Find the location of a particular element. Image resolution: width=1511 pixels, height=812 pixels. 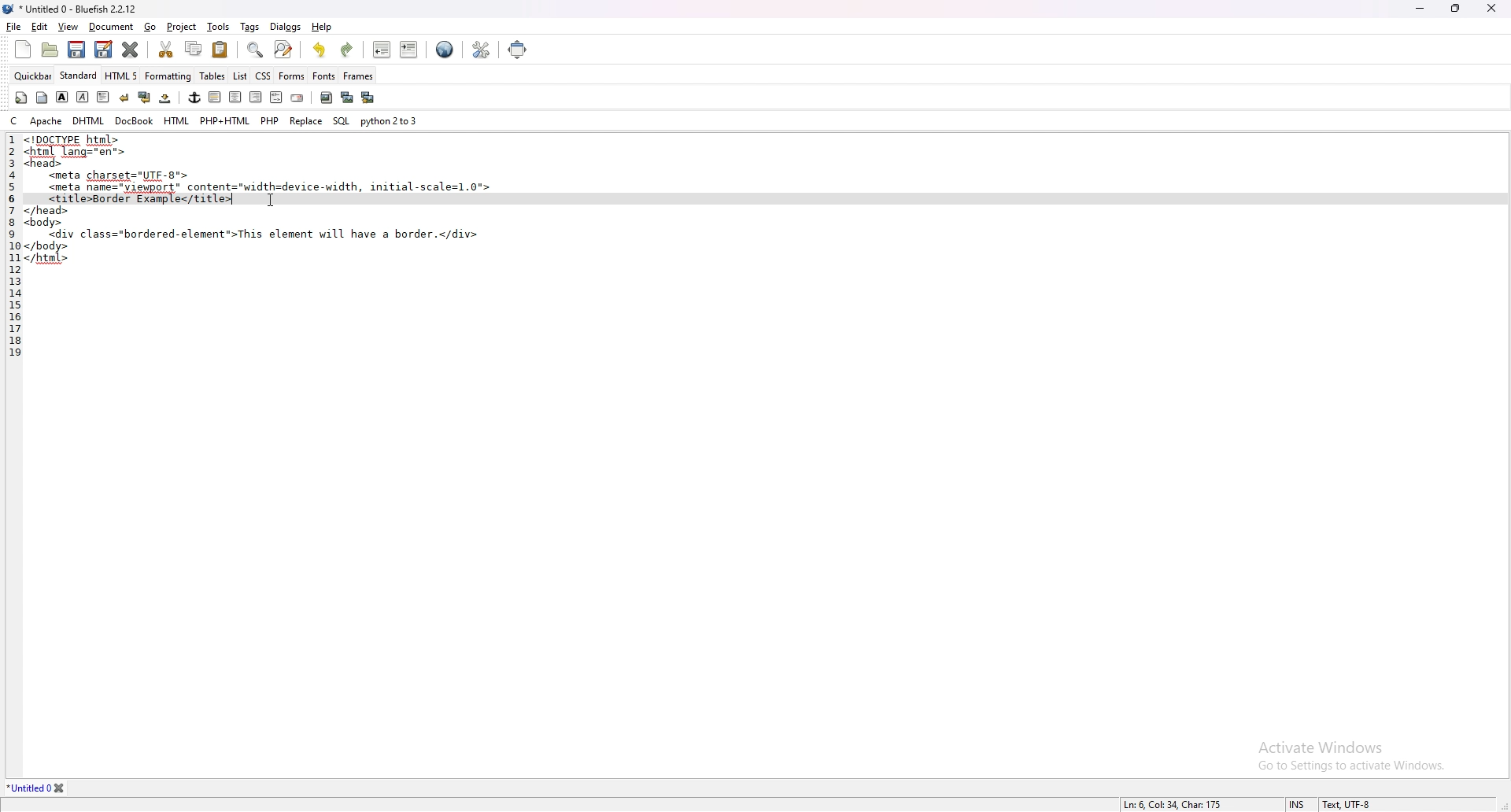

frames is located at coordinates (358, 76).